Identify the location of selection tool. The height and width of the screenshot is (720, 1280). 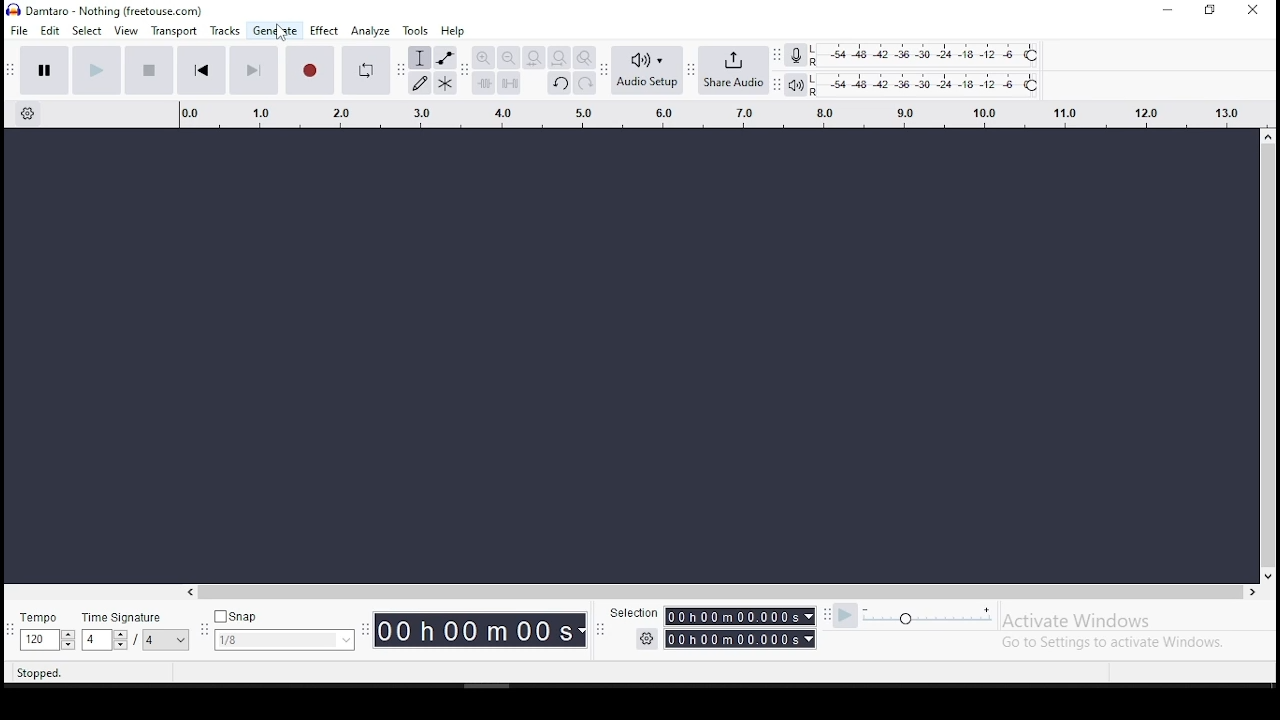
(419, 57).